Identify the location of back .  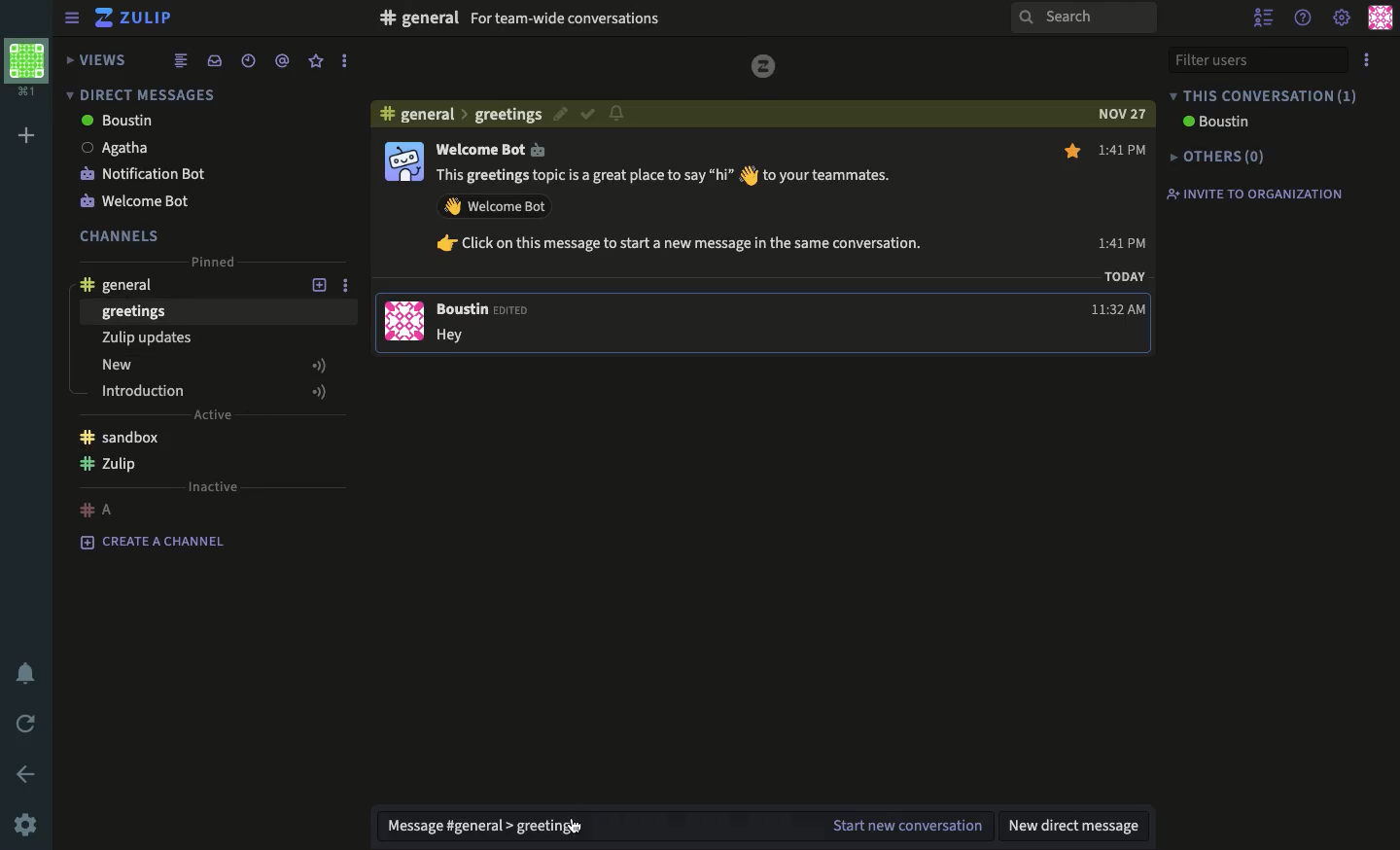
(28, 775).